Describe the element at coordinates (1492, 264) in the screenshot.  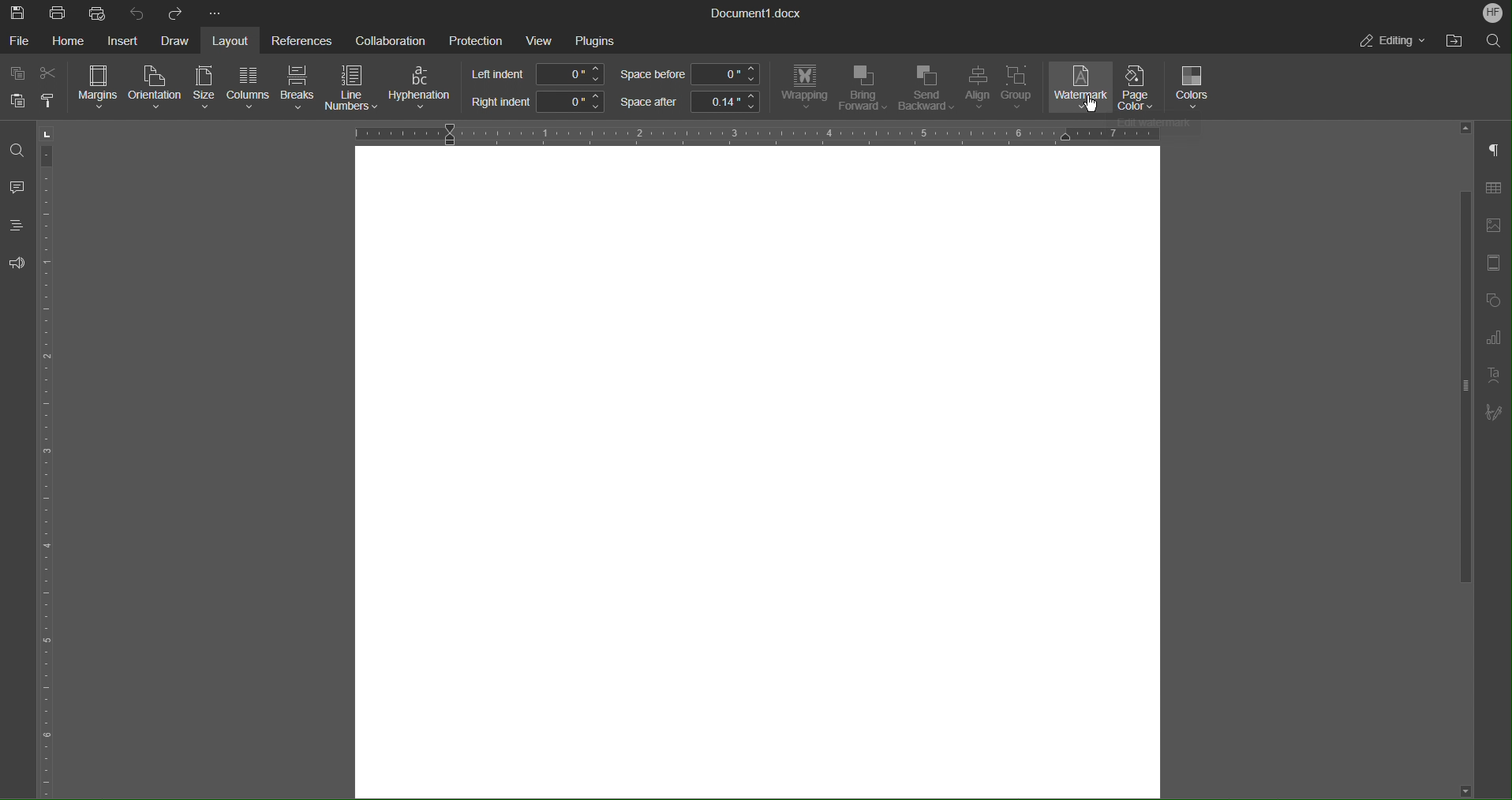
I see `Page Template` at that location.